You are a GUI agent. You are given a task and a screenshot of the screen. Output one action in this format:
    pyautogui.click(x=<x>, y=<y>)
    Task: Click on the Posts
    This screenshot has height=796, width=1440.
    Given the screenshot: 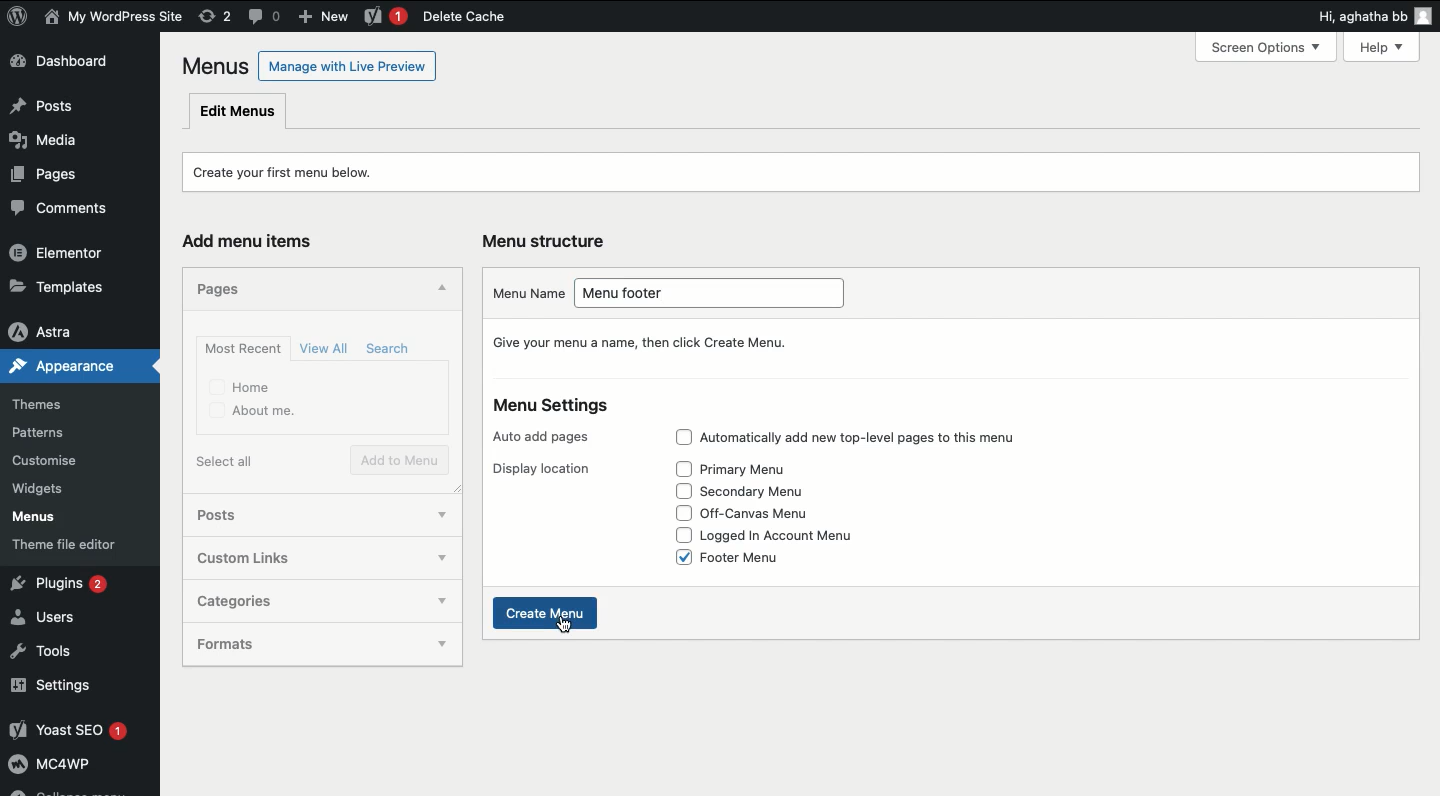 What is the action you would take?
    pyautogui.click(x=74, y=107)
    